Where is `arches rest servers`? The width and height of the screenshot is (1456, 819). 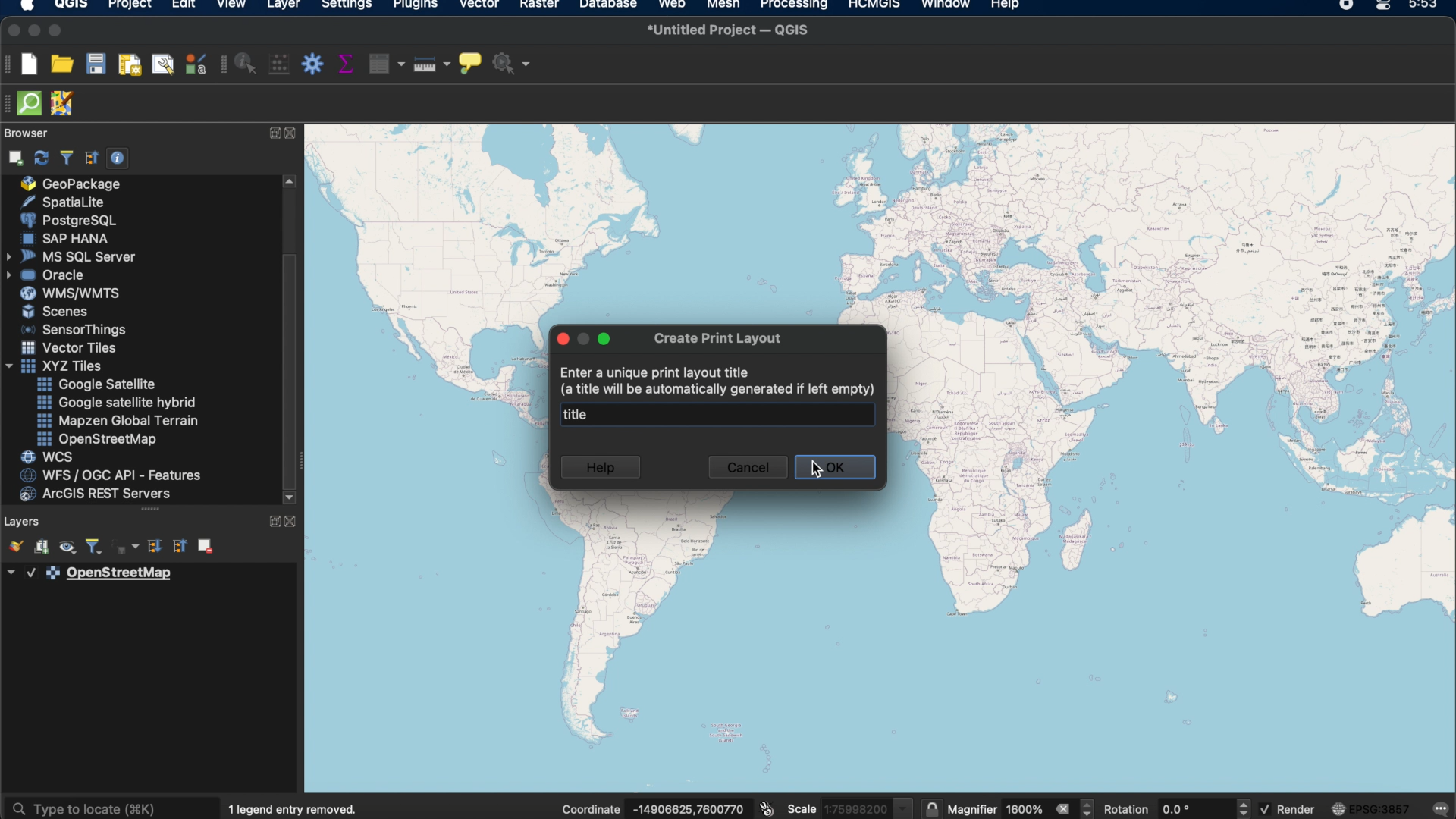
arches rest servers is located at coordinates (97, 493).